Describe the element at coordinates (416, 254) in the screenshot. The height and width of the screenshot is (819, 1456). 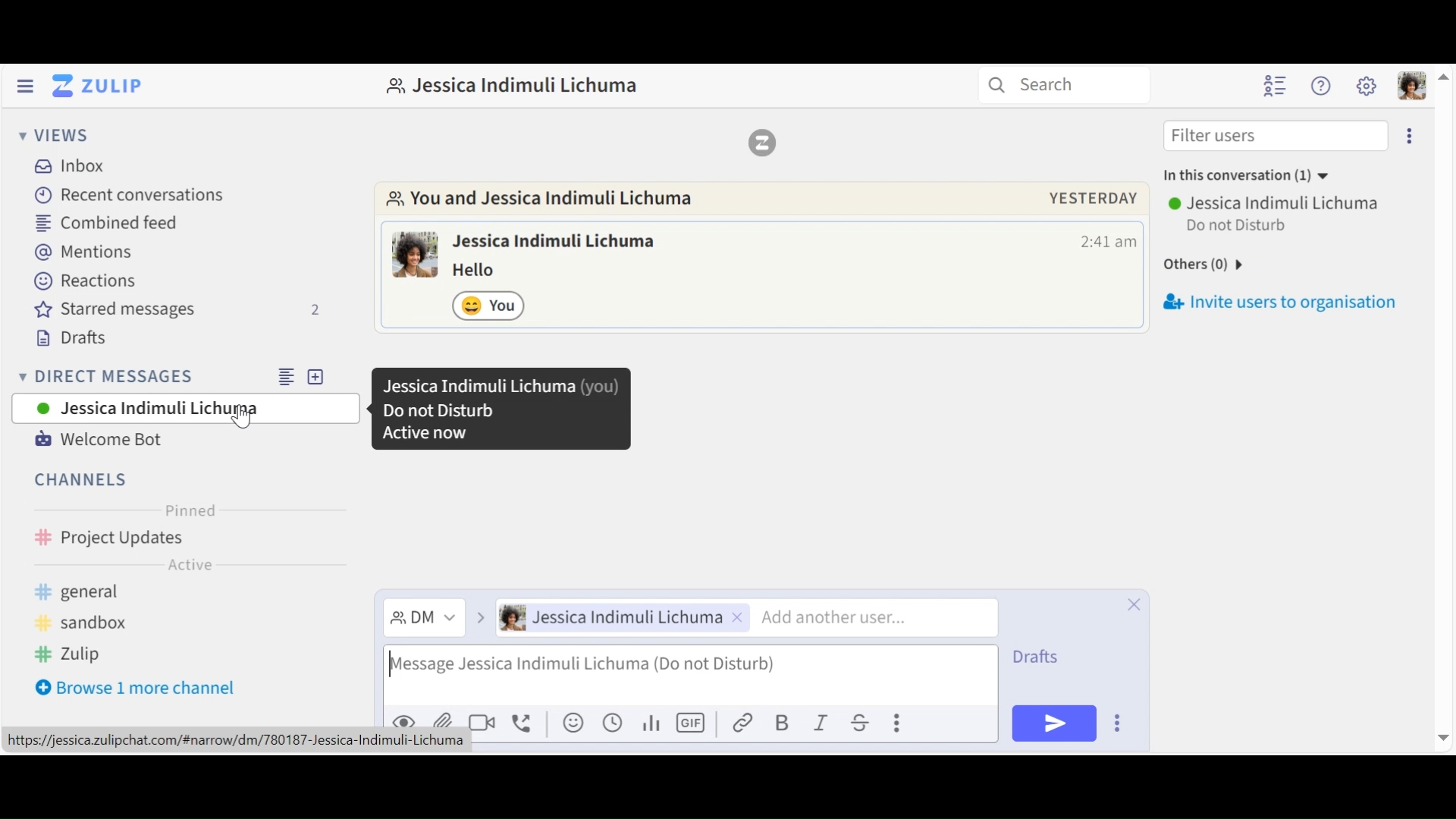
I see `View user card` at that location.